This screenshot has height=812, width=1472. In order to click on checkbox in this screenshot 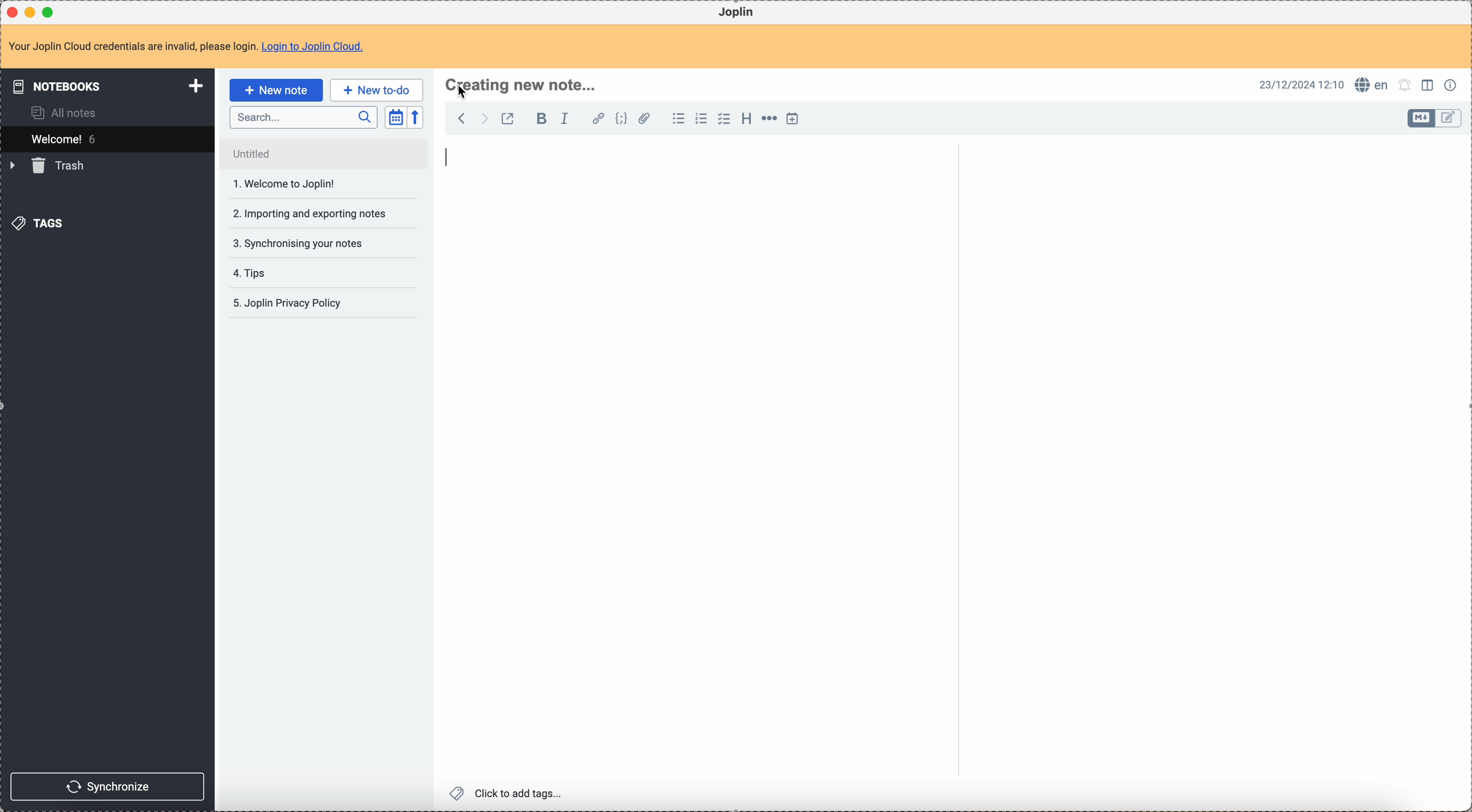, I will do `click(725, 119)`.